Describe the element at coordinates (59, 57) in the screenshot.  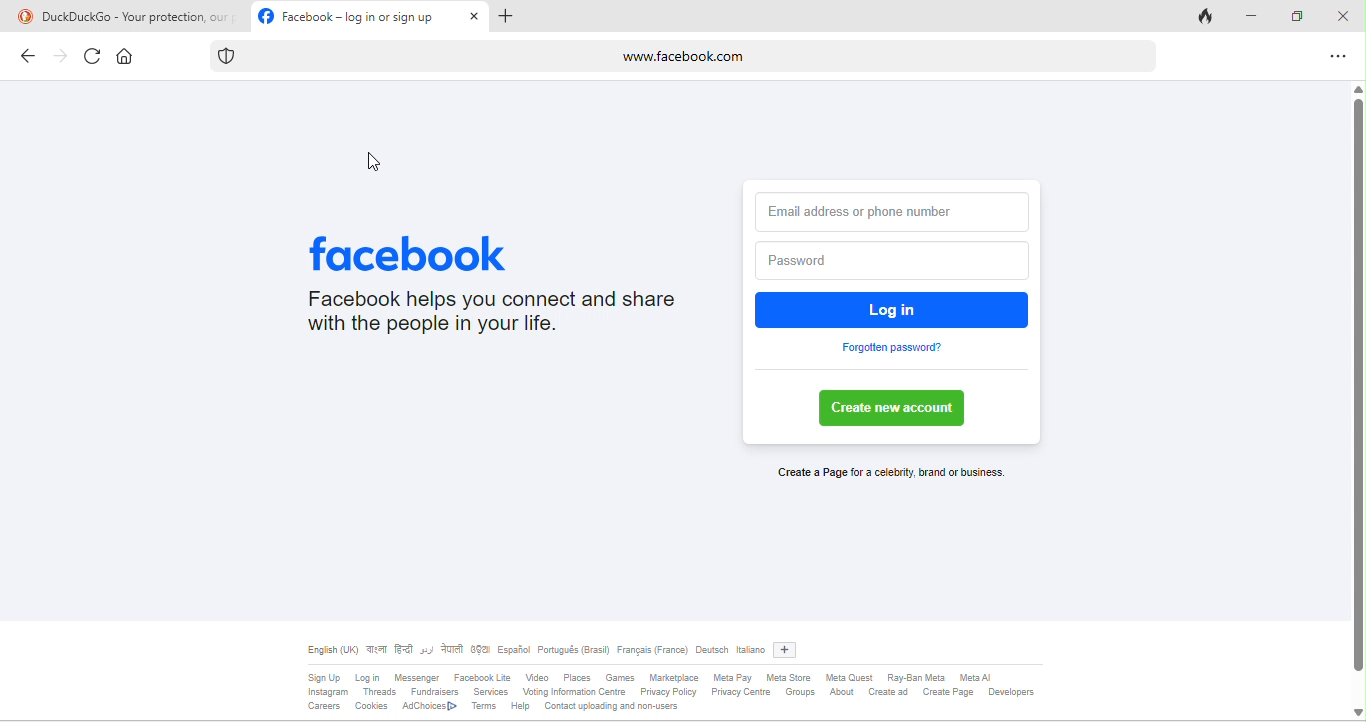
I see `forward` at that location.